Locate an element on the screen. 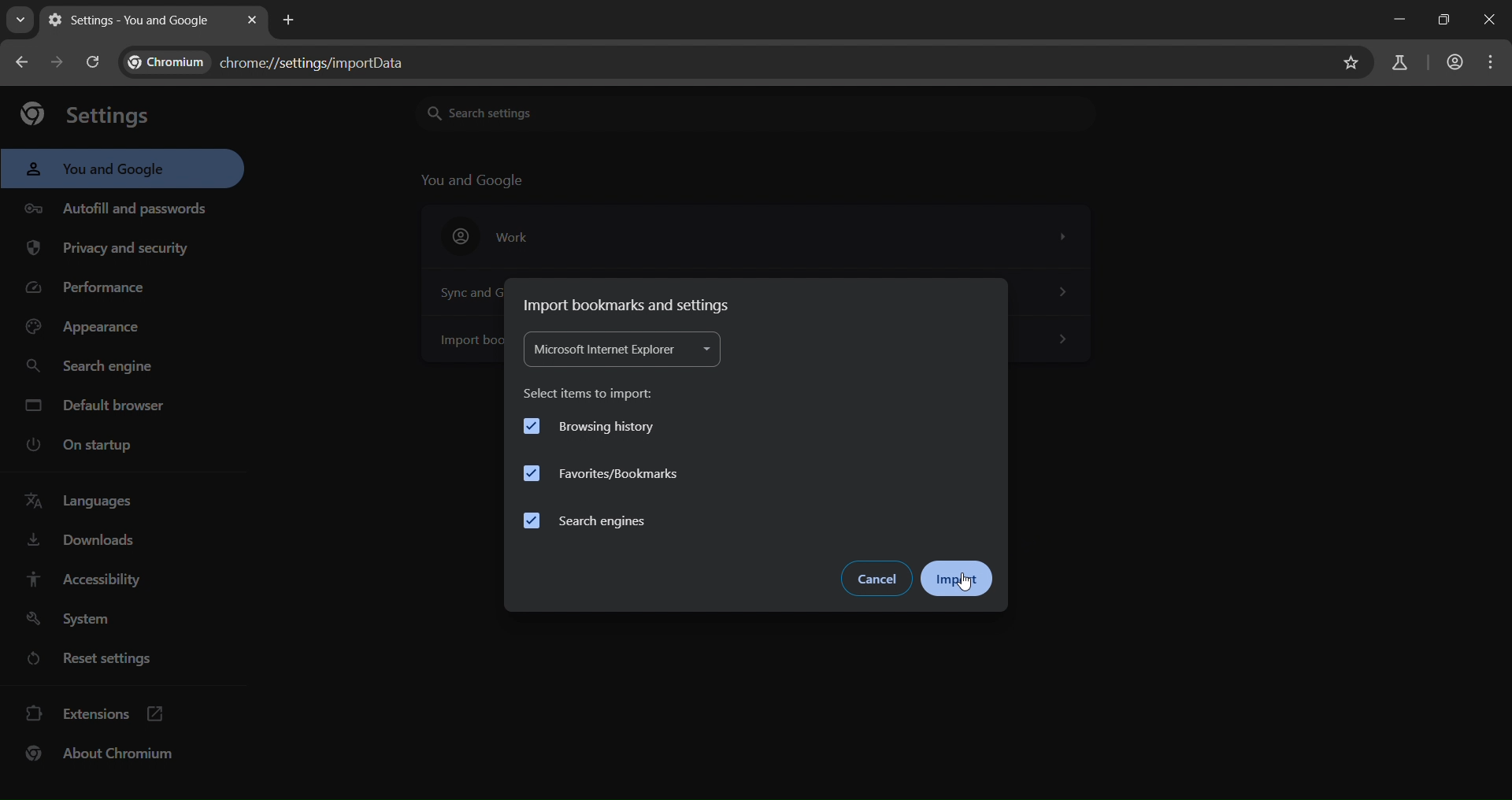 The width and height of the screenshot is (1512, 800). downloads is located at coordinates (85, 543).